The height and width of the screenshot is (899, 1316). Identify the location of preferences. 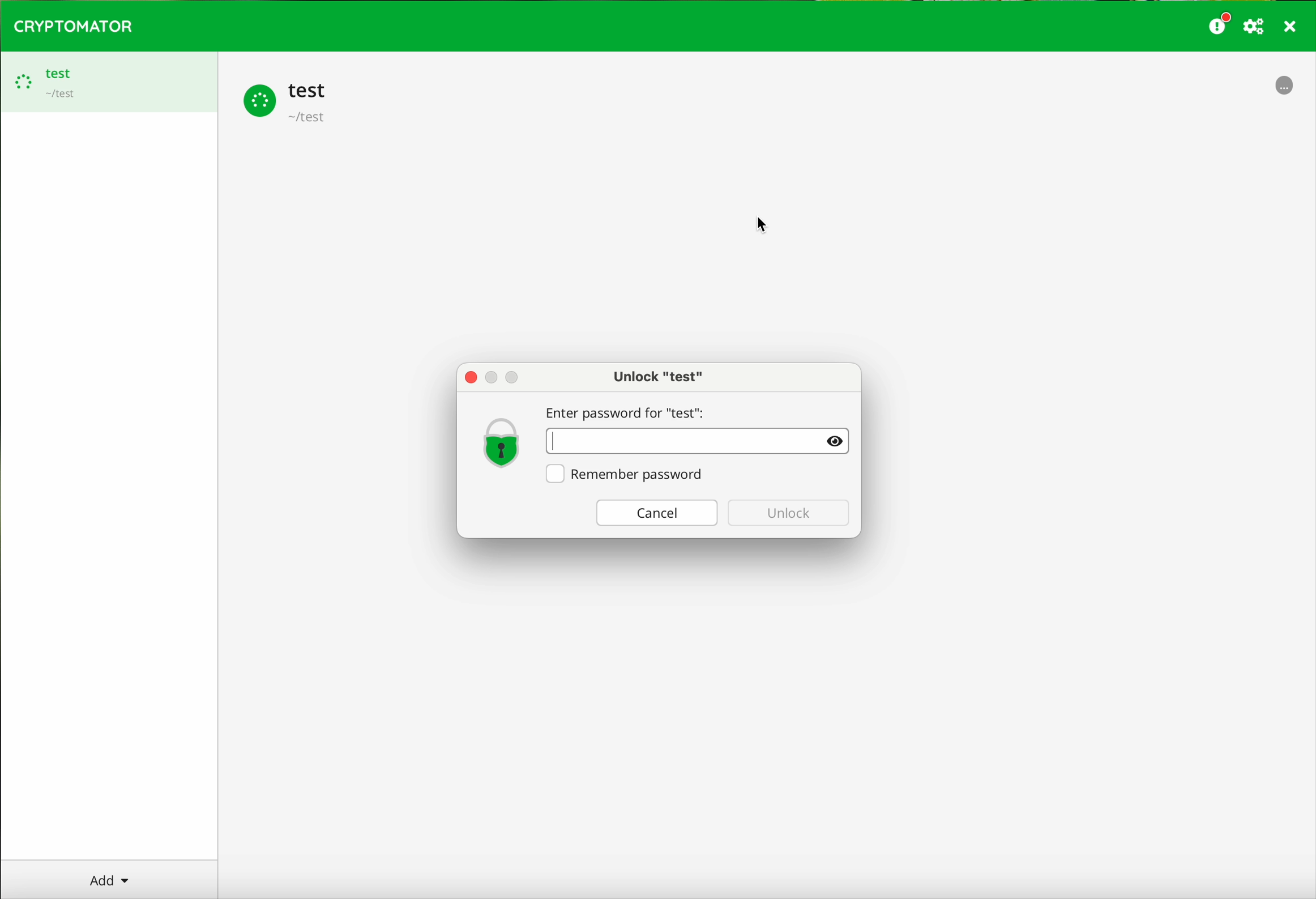
(1255, 27).